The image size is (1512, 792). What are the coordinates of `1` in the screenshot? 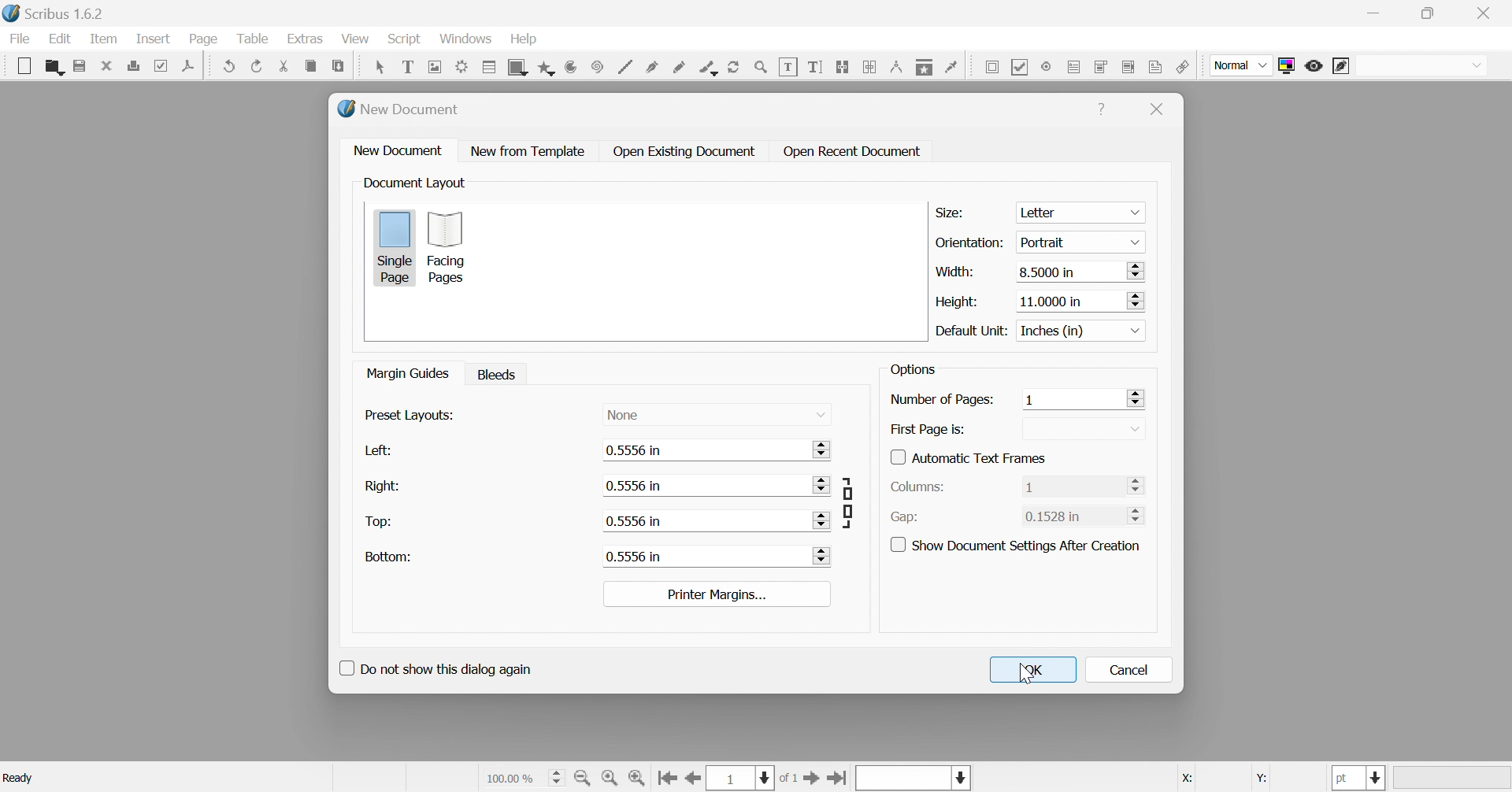 It's located at (1025, 401).